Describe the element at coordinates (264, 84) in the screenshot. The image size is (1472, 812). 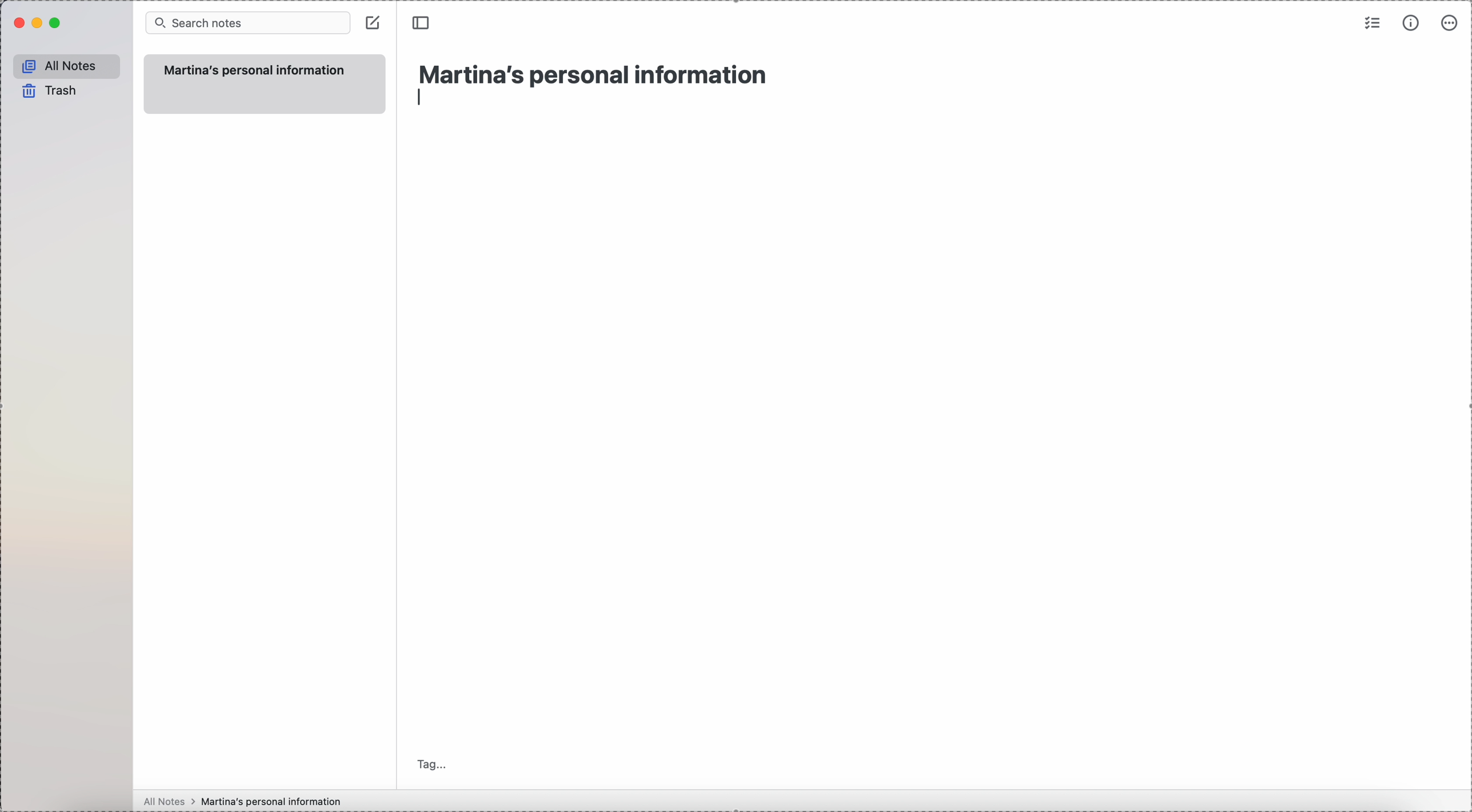
I see `new note` at that location.